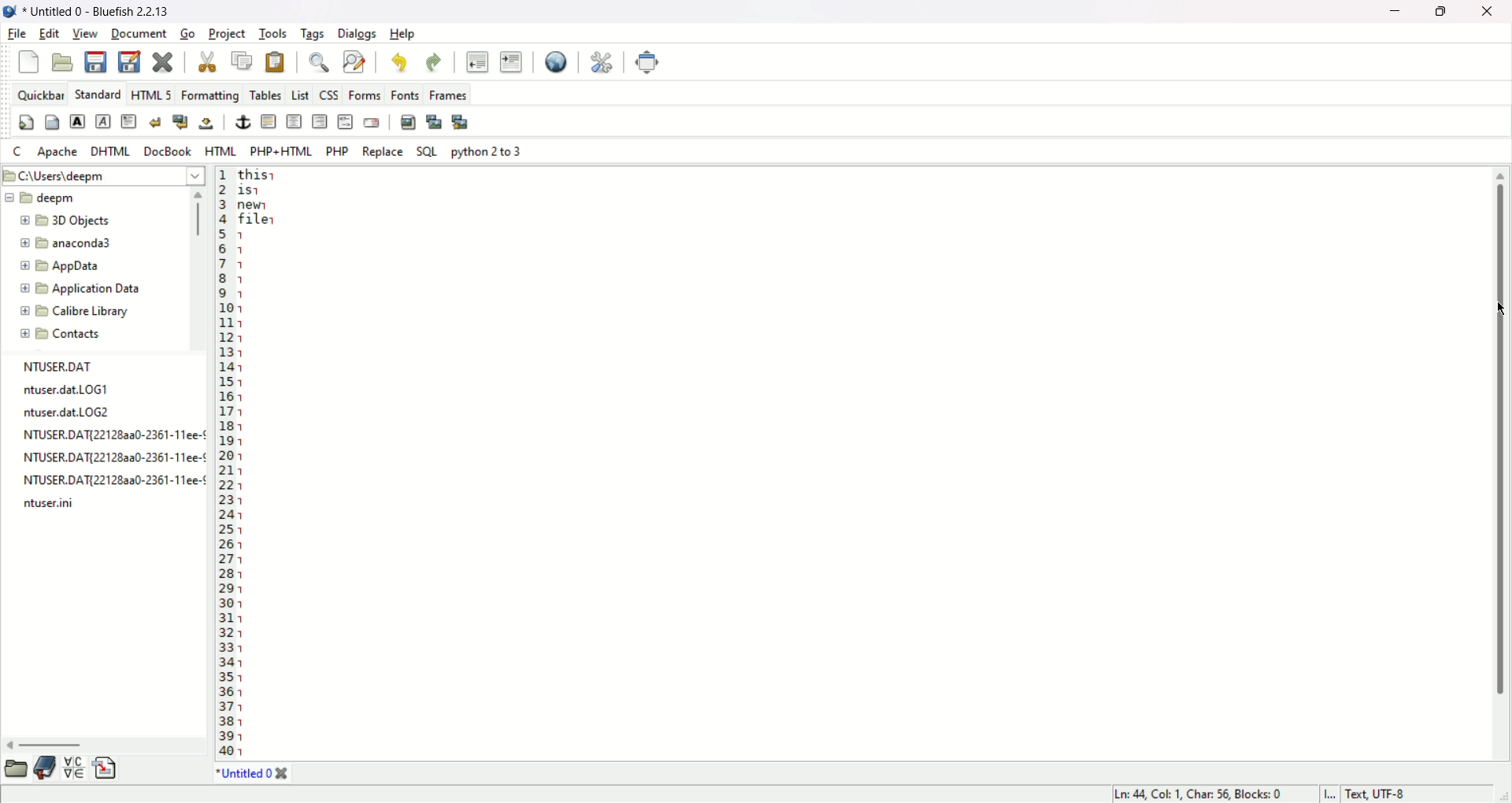 Image resolution: width=1512 pixels, height=803 pixels. What do you see at coordinates (405, 94) in the screenshot?
I see `fonts` at bounding box center [405, 94].